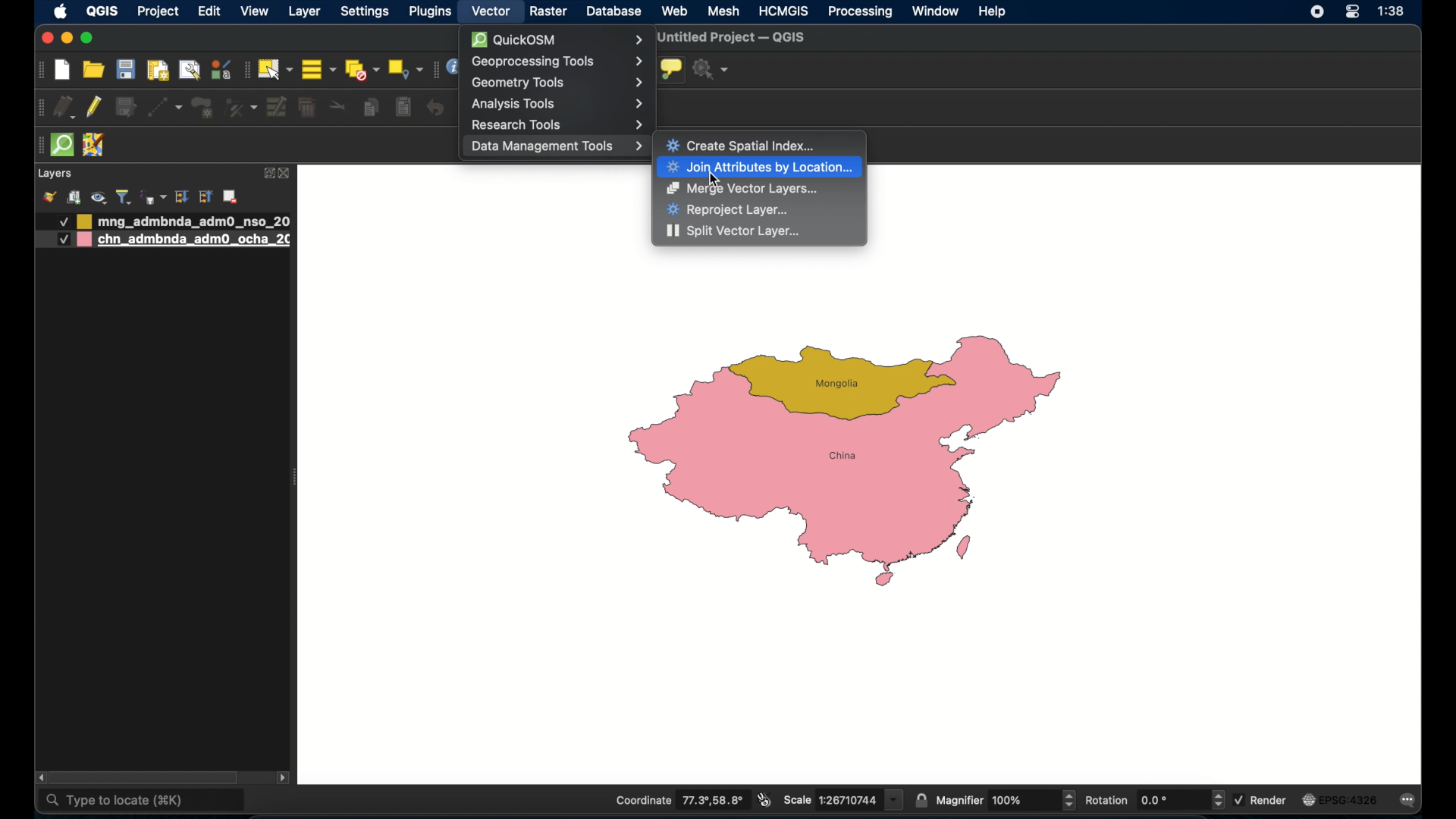  Describe the element at coordinates (360, 70) in the screenshot. I see `deselect all features` at that location.